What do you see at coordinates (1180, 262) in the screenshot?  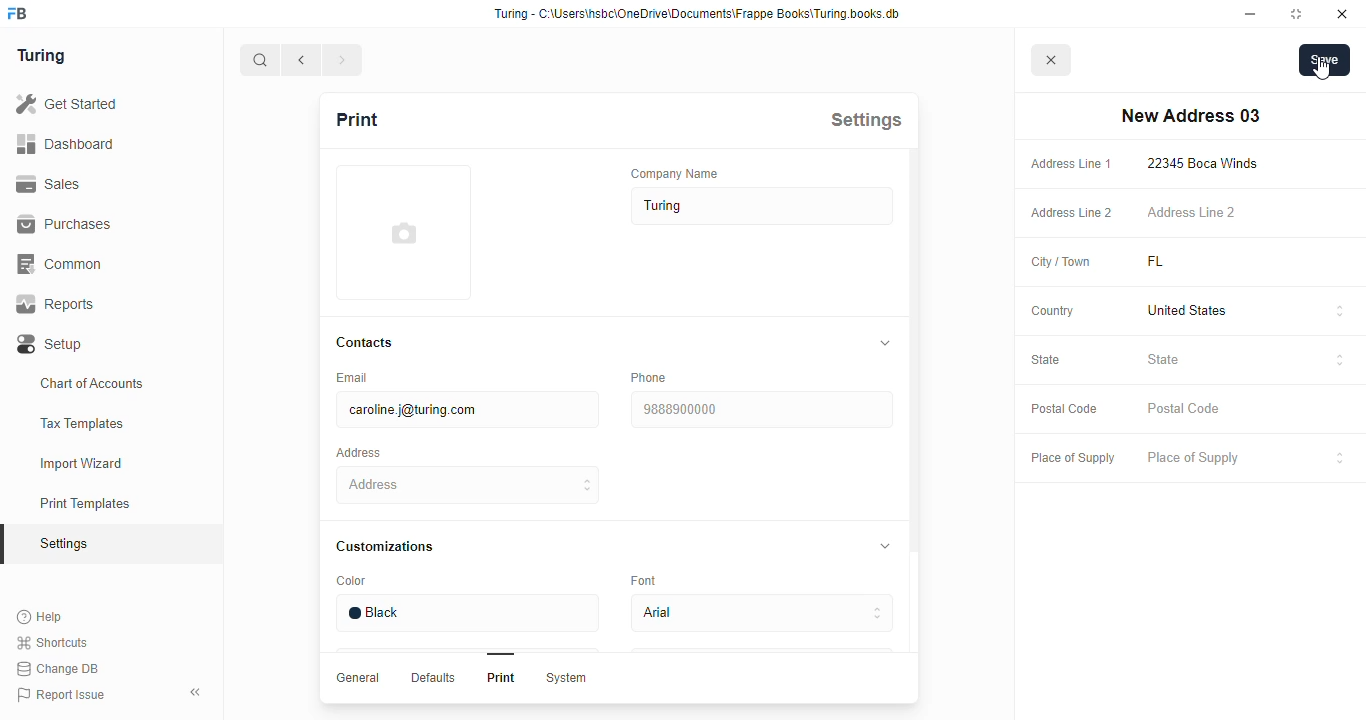 I see `FL` at bounding box center [1180, 262].